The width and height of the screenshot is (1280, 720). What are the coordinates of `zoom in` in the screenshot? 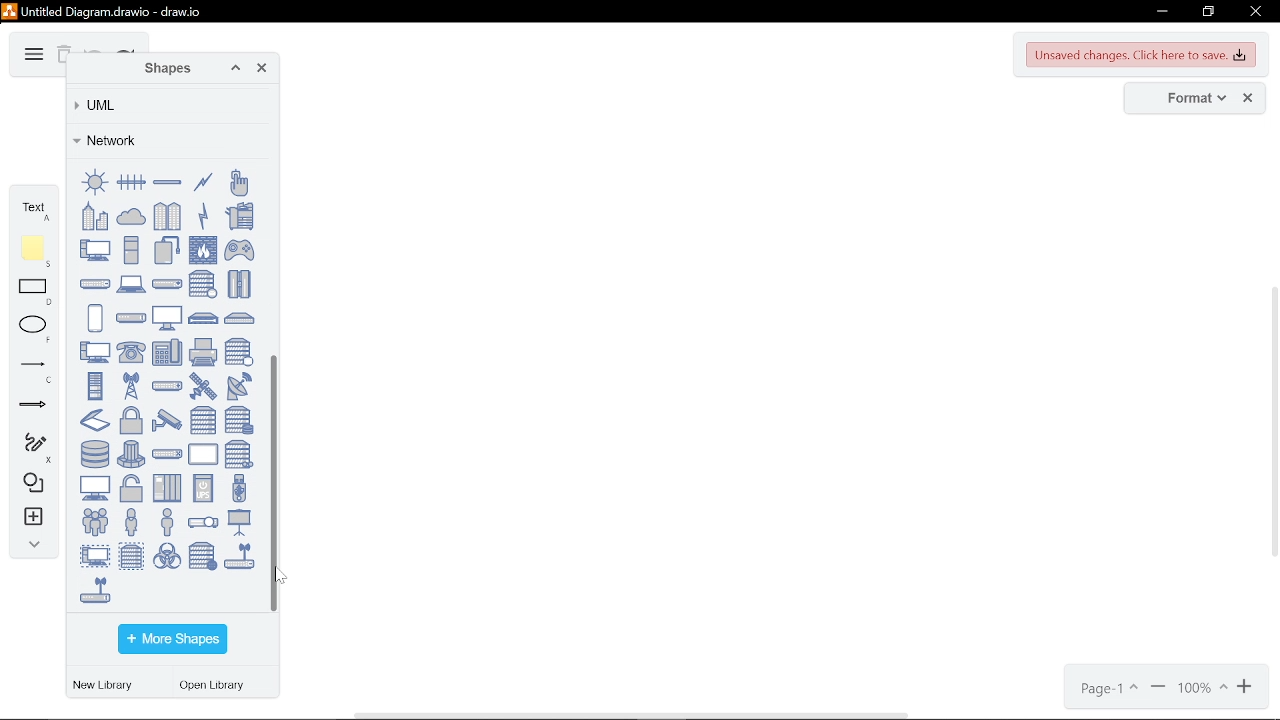 It's located at (1158, 689).